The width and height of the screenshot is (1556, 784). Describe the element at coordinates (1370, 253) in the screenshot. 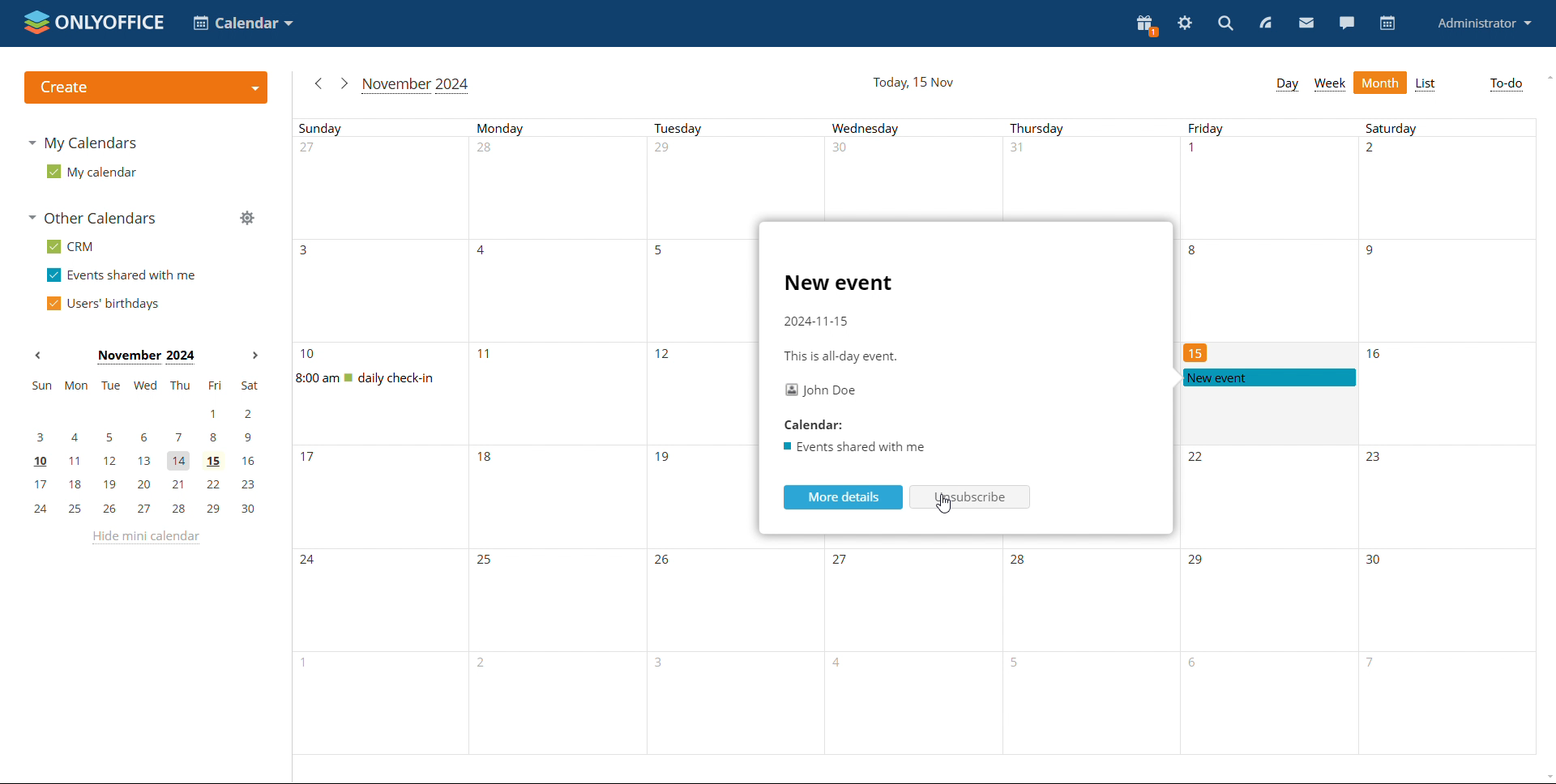

I see `Number` at that location.